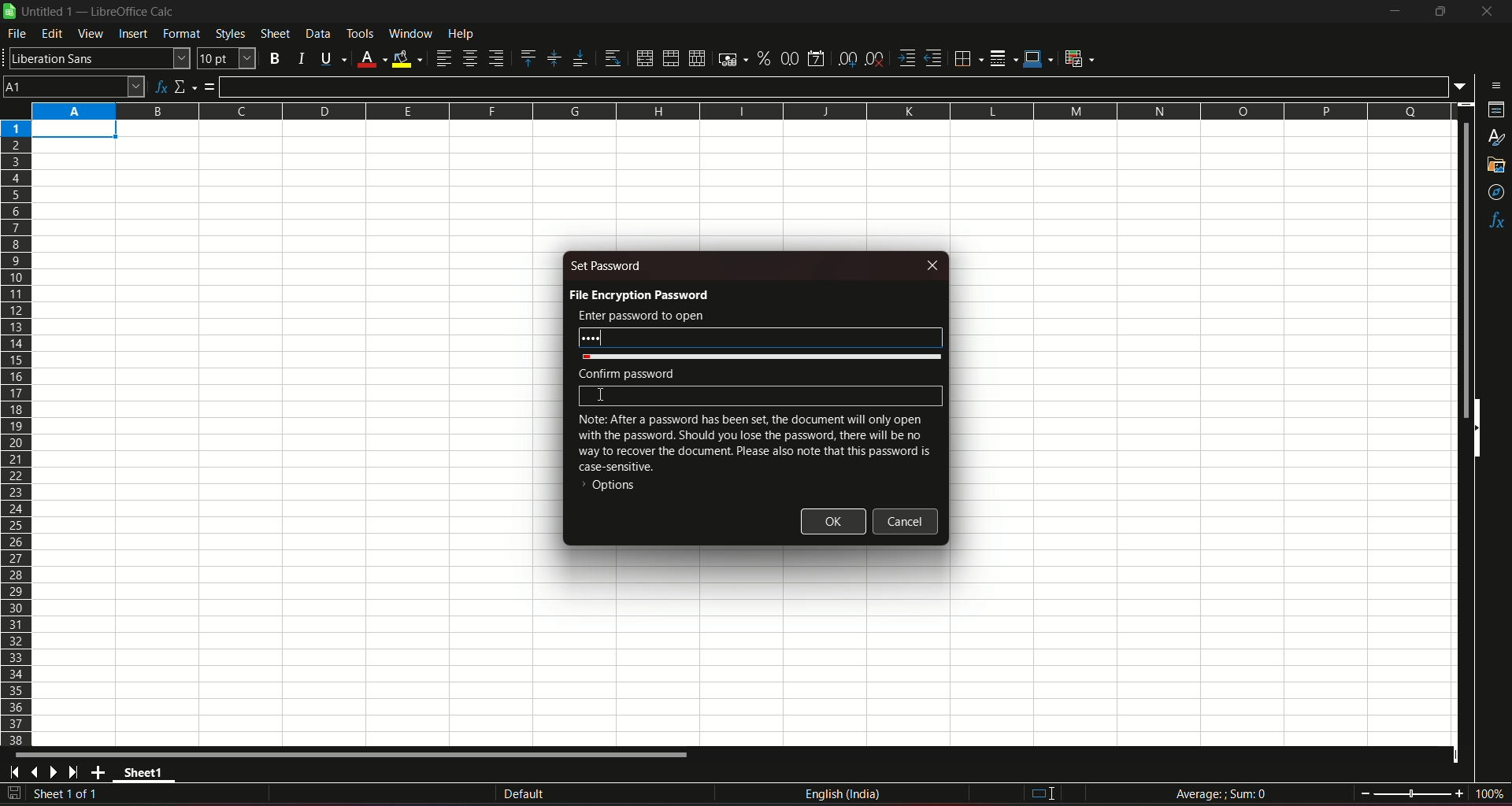  Describe the element at coordinates (671, 57) in the screenshot. I see `merge cells` at that location.